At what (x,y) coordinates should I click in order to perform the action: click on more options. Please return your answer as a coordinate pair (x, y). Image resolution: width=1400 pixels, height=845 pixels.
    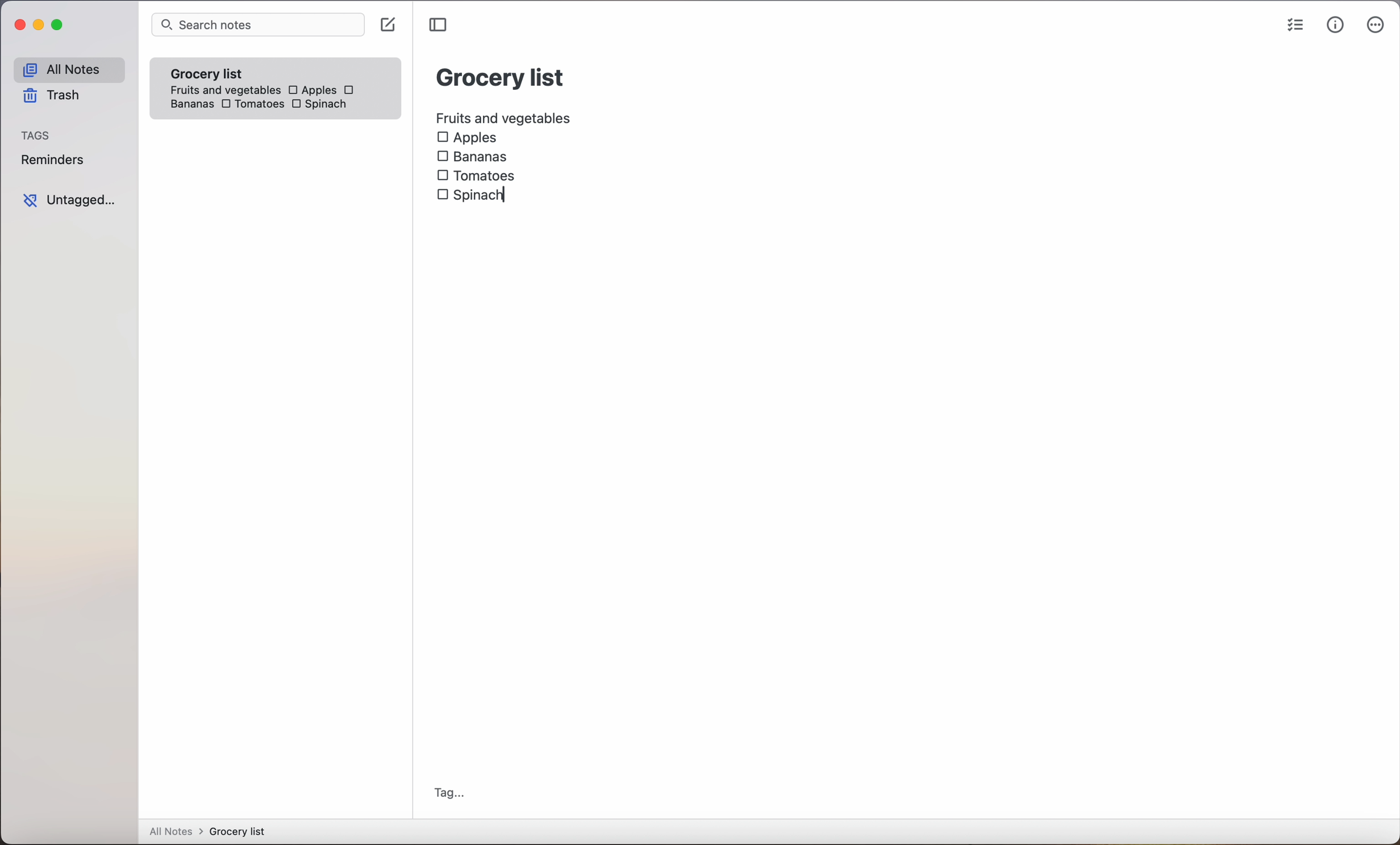
    Looking at the image, I should click on (1376, 27).